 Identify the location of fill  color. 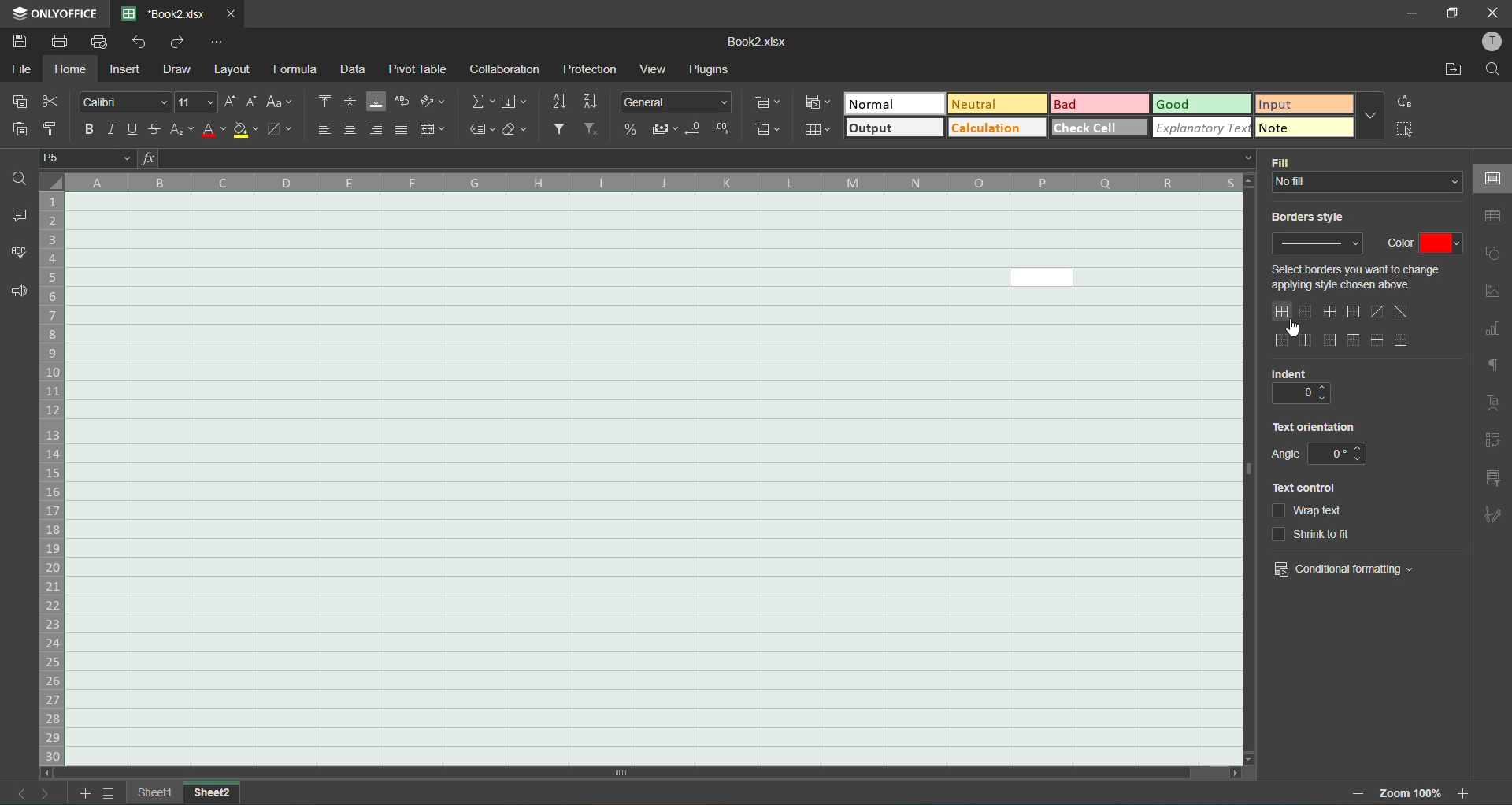
(247, 132).